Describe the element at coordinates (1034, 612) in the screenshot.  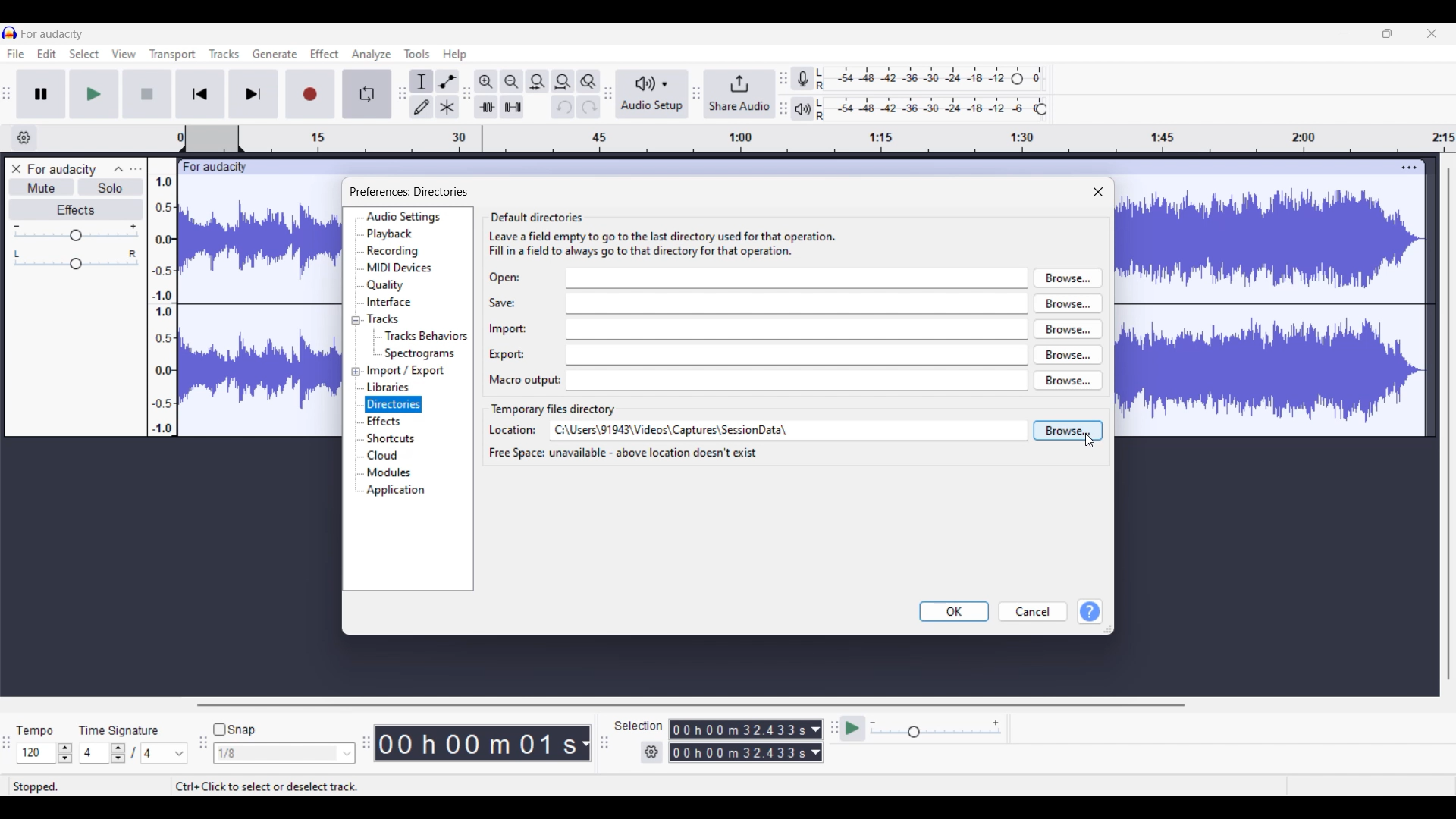
I see `Cancel` at that location.